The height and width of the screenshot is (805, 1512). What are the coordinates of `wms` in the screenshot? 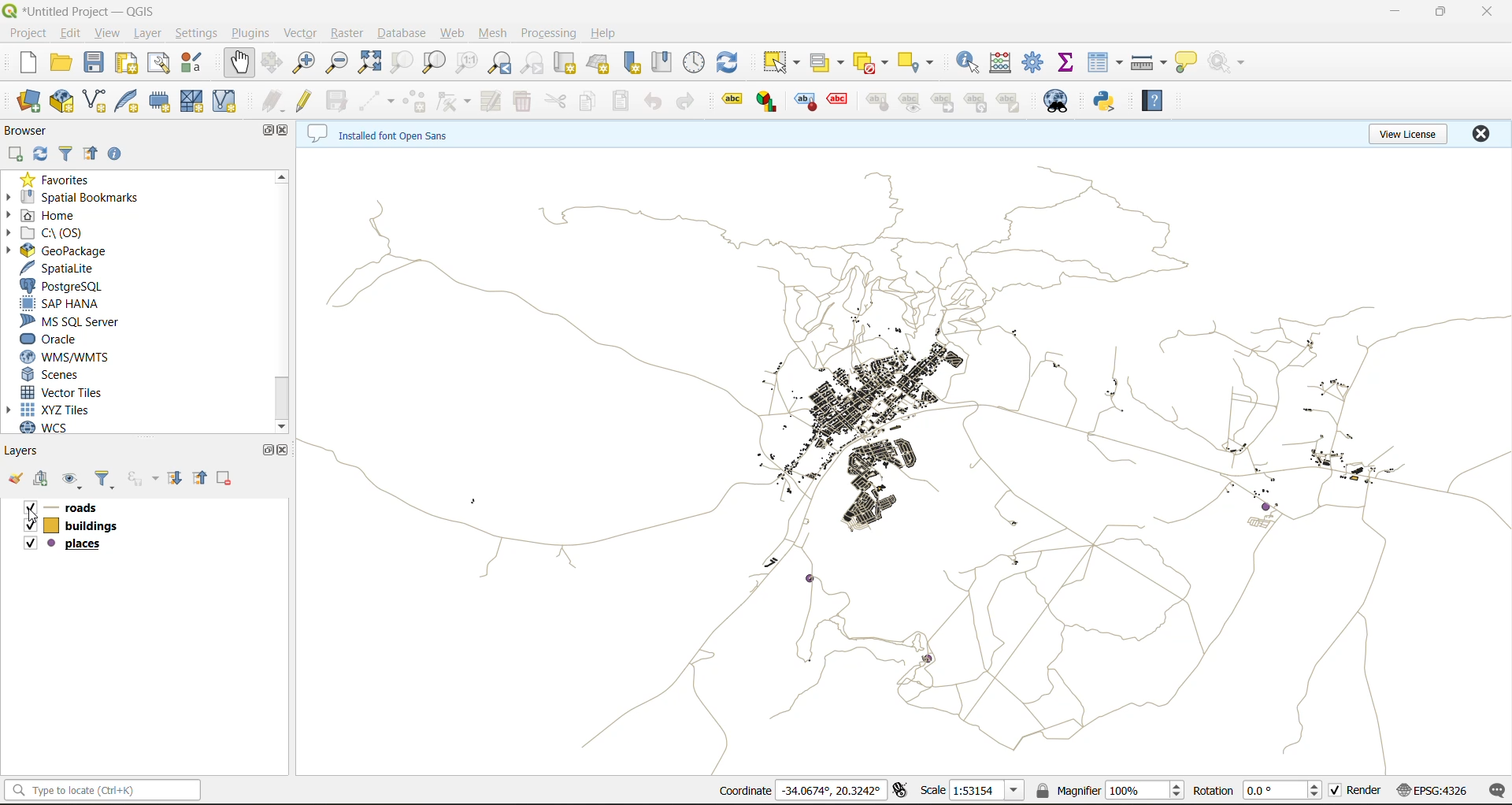 It's located at (65, 358).